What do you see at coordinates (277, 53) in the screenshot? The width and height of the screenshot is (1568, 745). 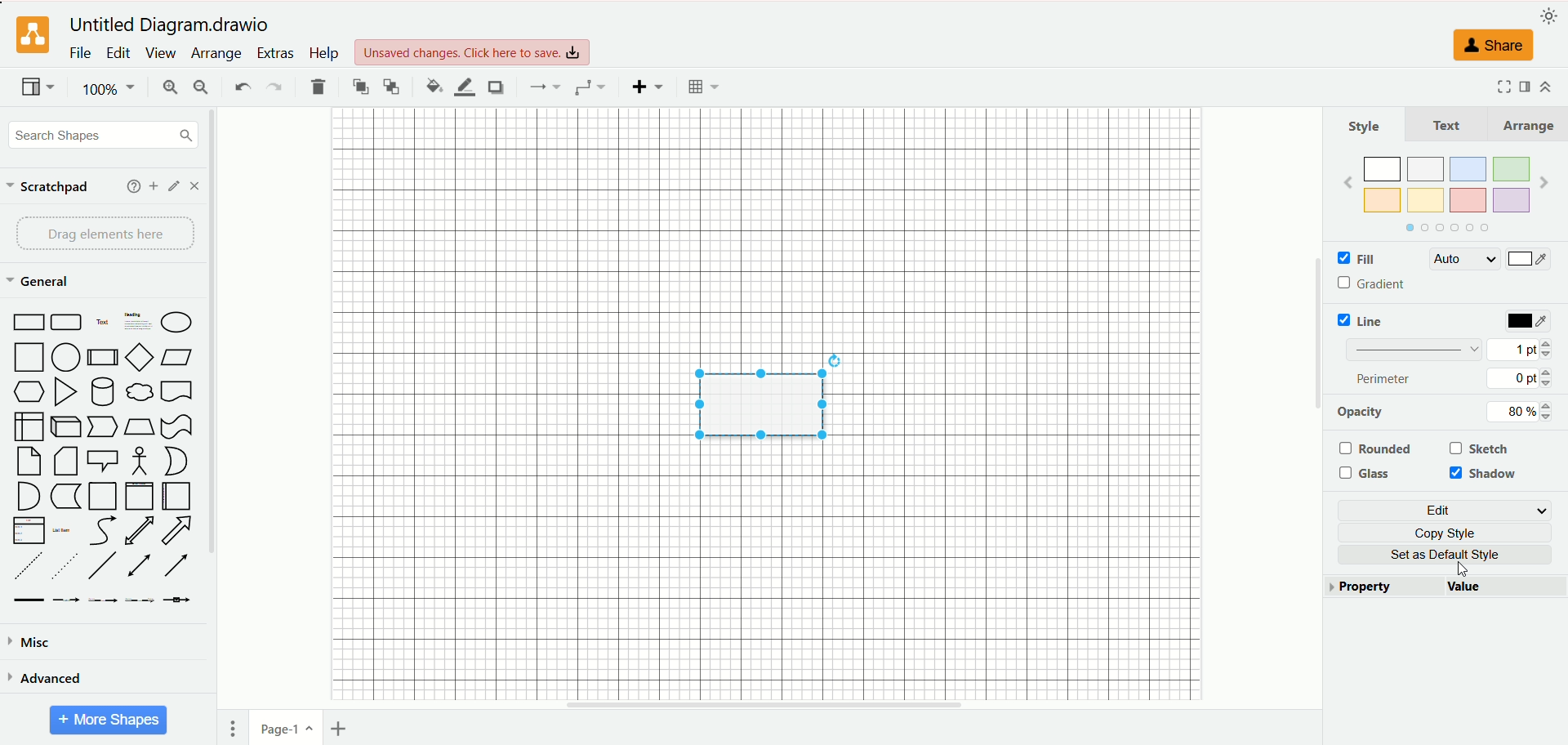 I see `extras` at bounding box center [277, 53].